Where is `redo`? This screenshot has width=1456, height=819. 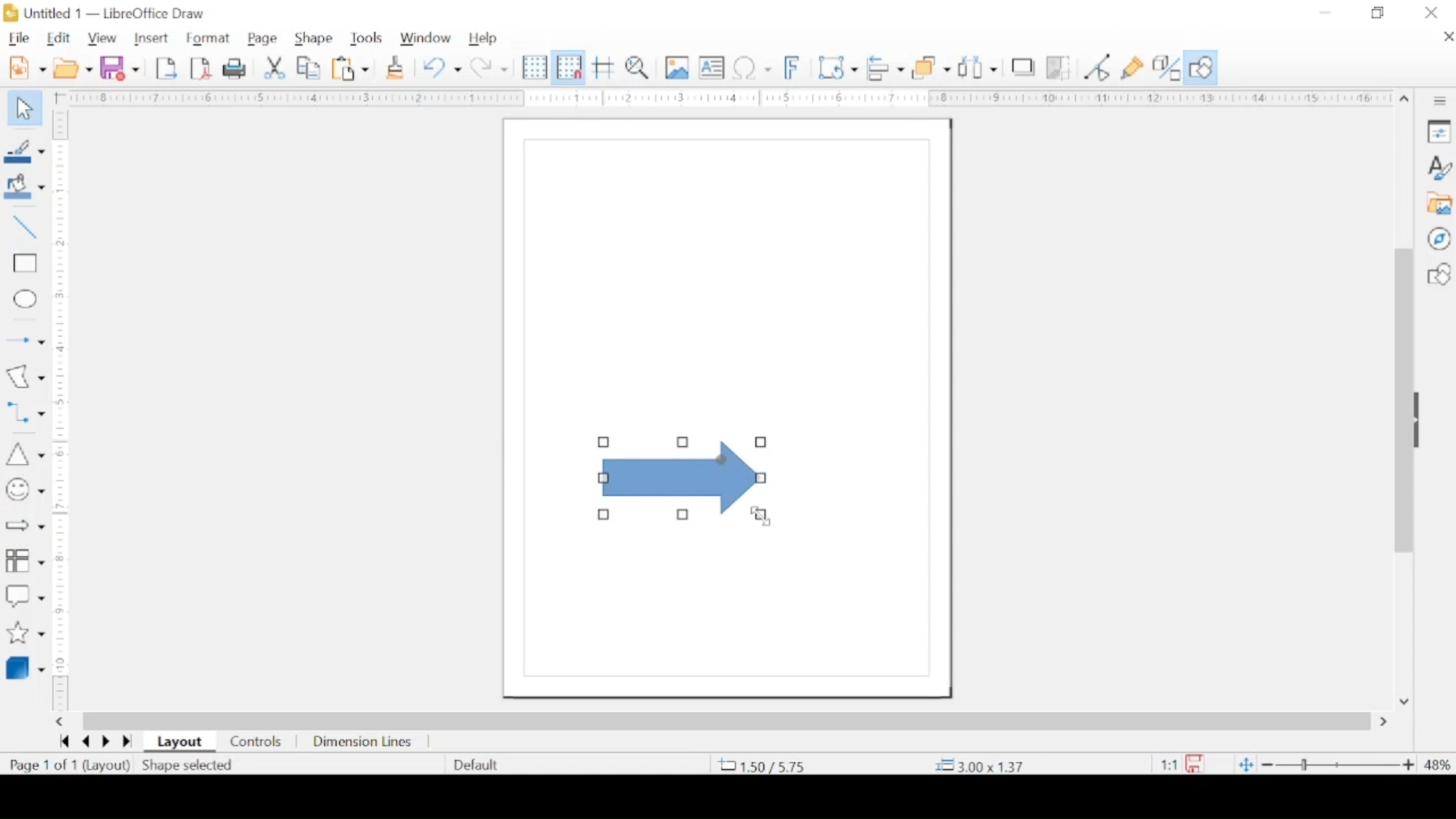 redo is located at coordinates (489, 67).